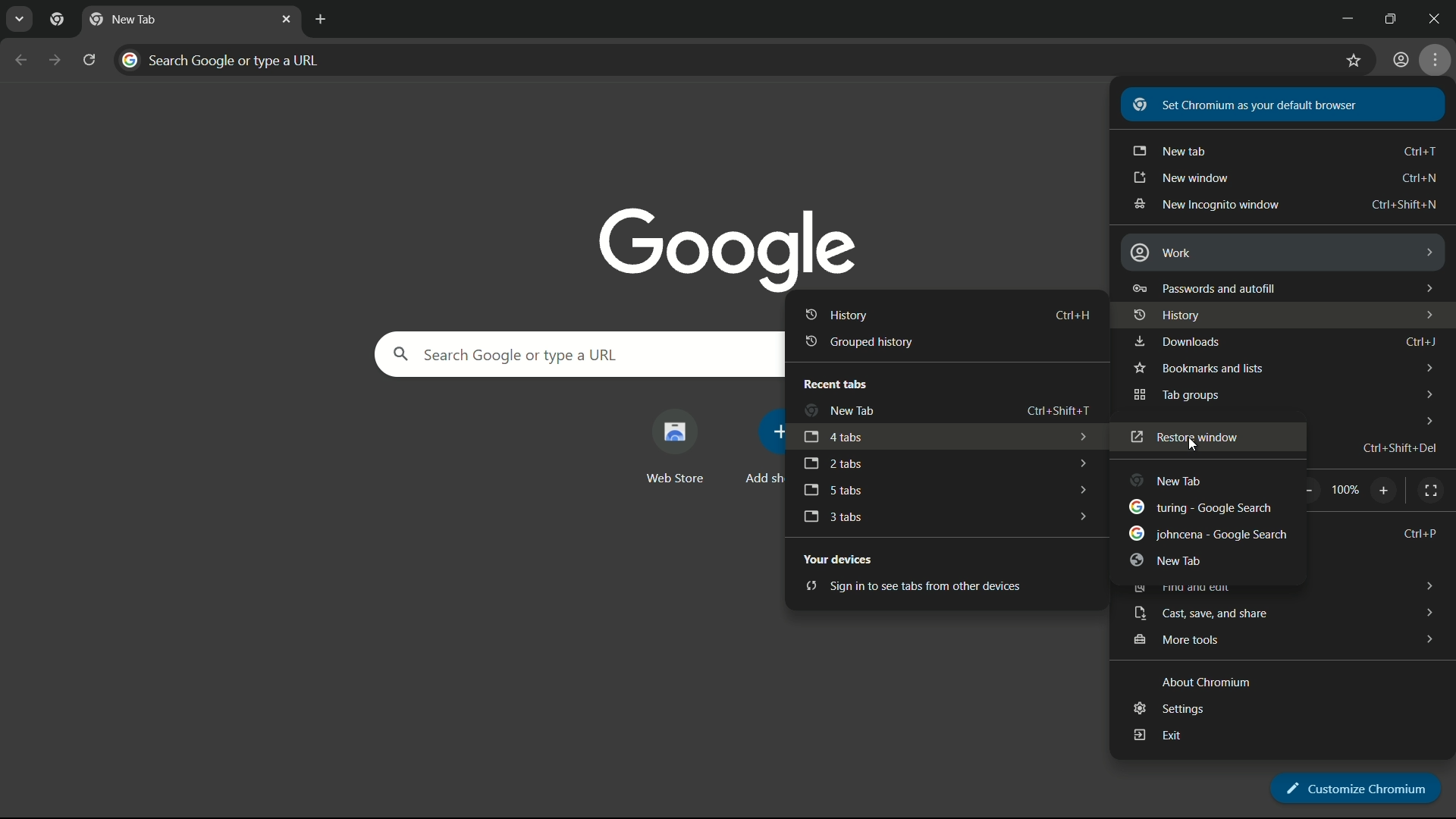  What do you see at coordinates (1421, 534) in the screenshot?
I see `Ctrl + P` at bounding box center [1421, 534].